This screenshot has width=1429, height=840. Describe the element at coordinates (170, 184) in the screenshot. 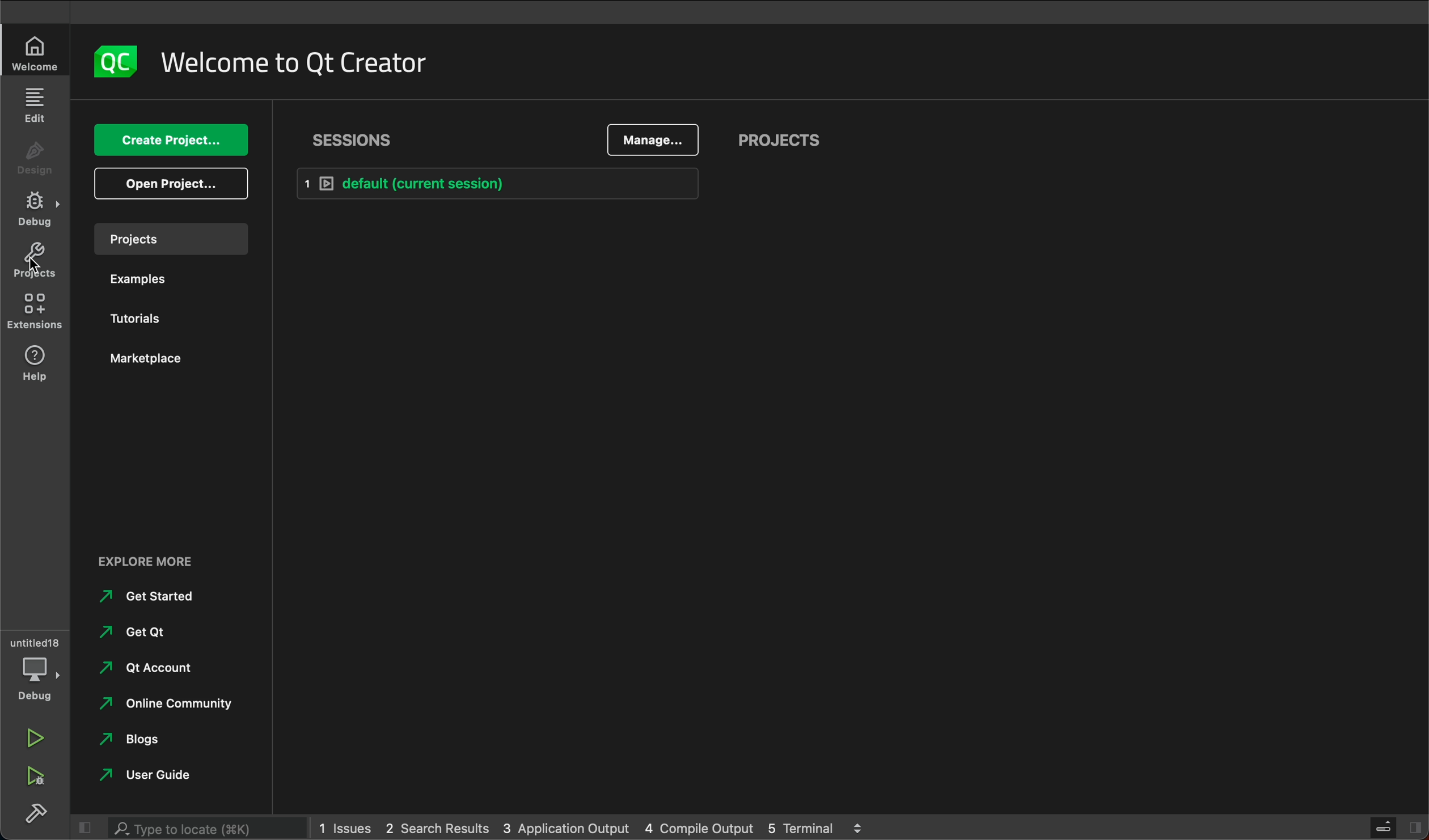

I see `open project` at that location.